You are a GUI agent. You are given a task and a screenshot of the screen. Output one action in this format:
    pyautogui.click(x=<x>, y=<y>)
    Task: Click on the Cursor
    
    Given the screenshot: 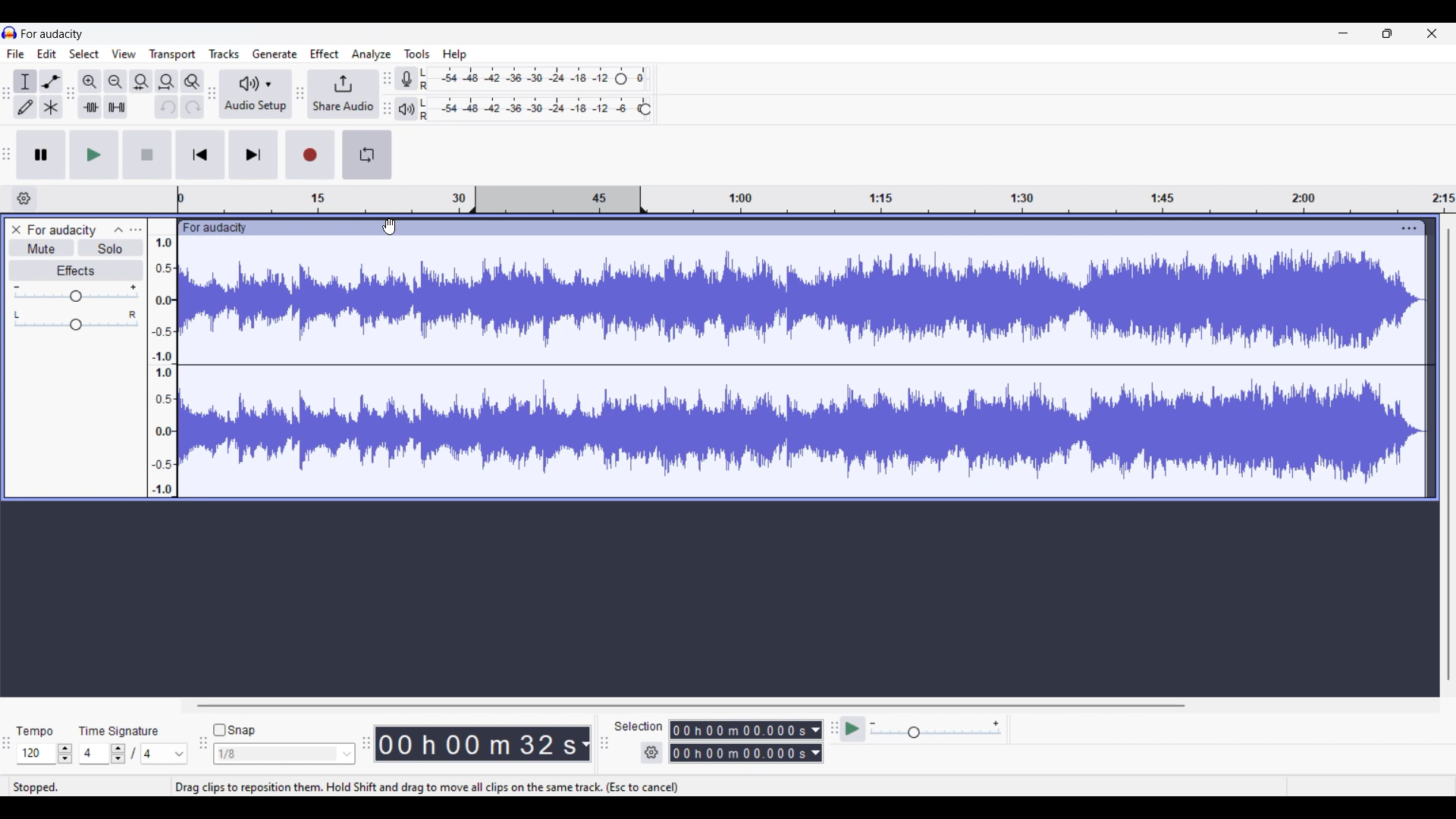 What is the action you would take?
    pyautogui.click(x=389, y=227)
    